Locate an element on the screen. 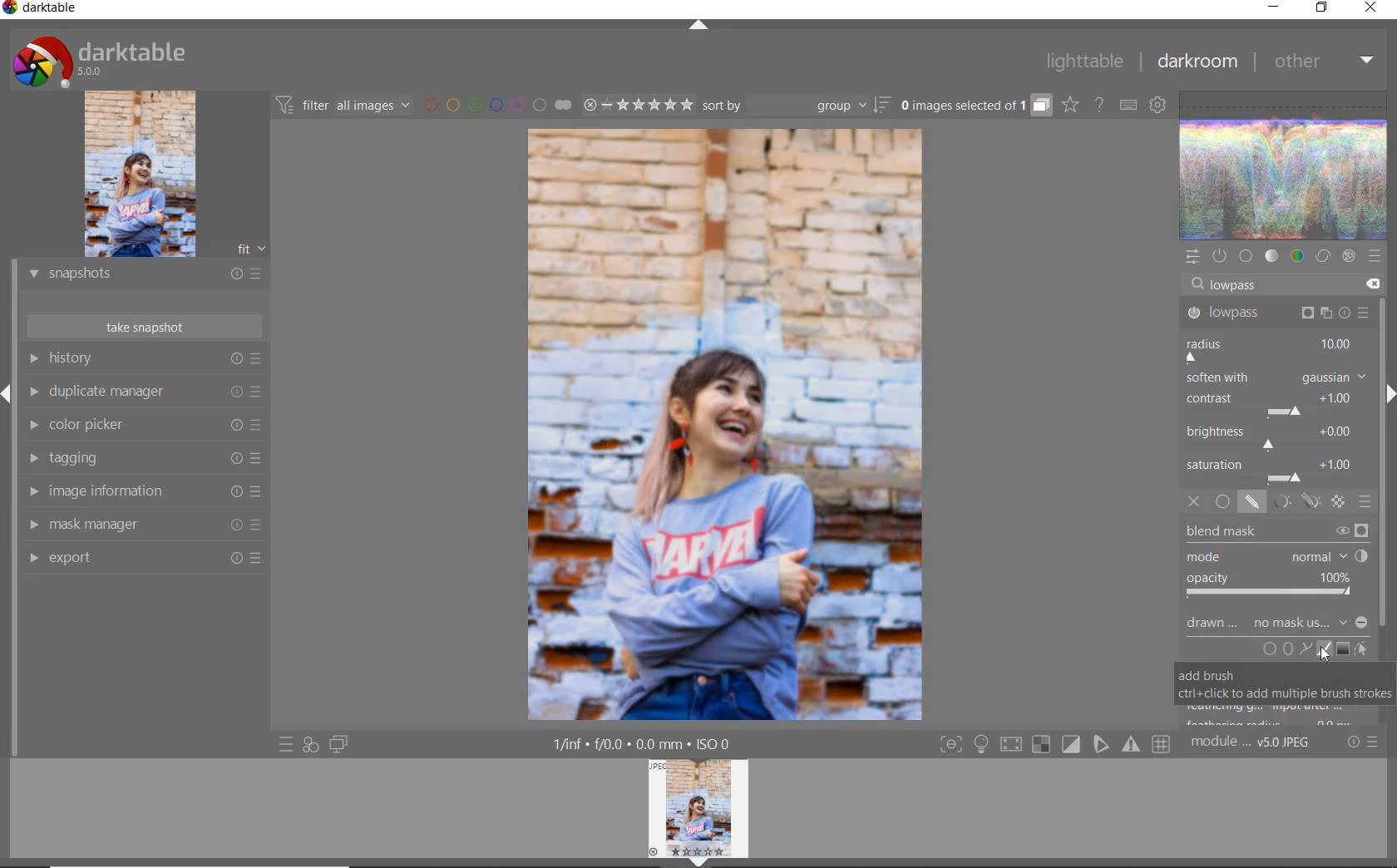 The width and height of the screenshot is (1397, 868). display a second darkroom image window is located at coordinates (339, 743).